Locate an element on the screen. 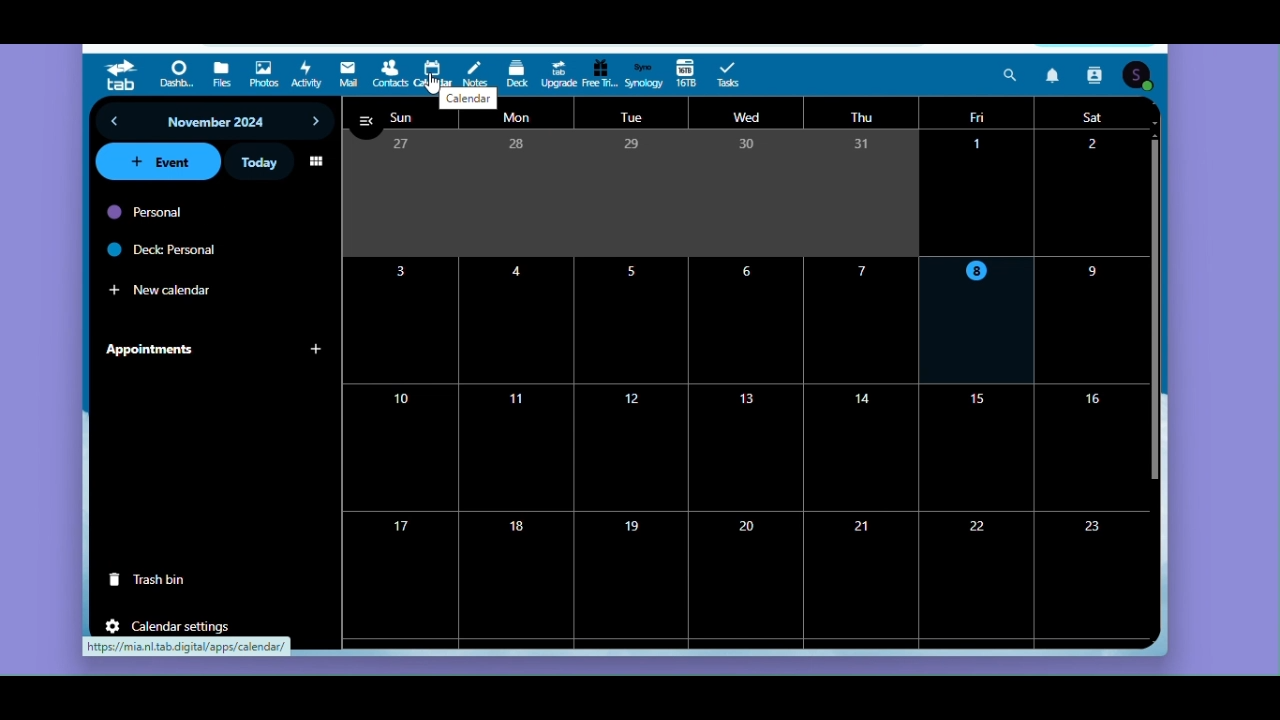  Calendar : days of the month is located at coordinates (736, 388).